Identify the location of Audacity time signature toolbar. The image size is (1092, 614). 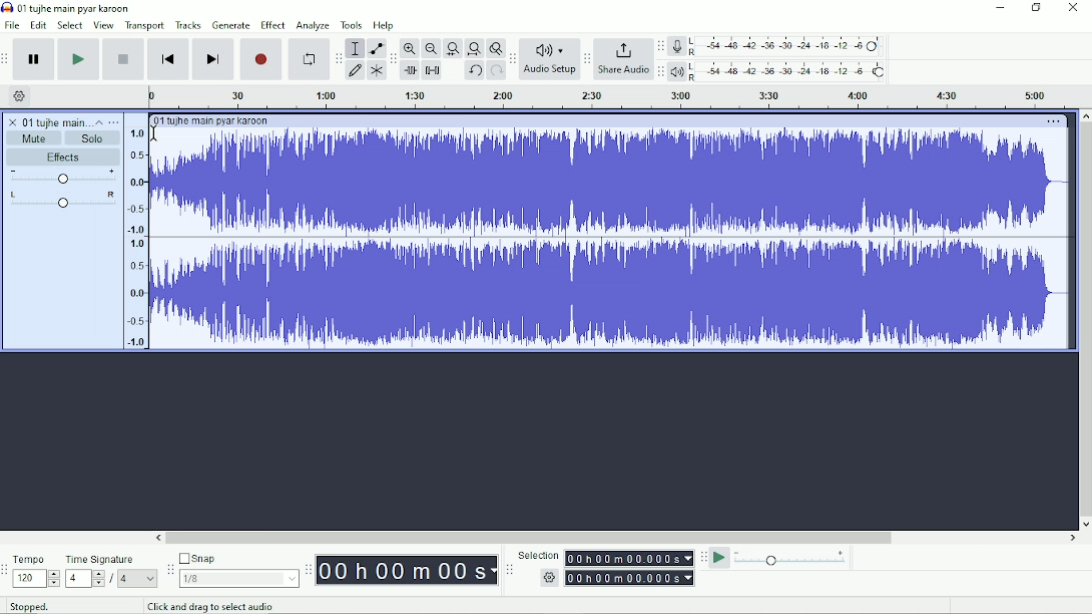
(7, 570).